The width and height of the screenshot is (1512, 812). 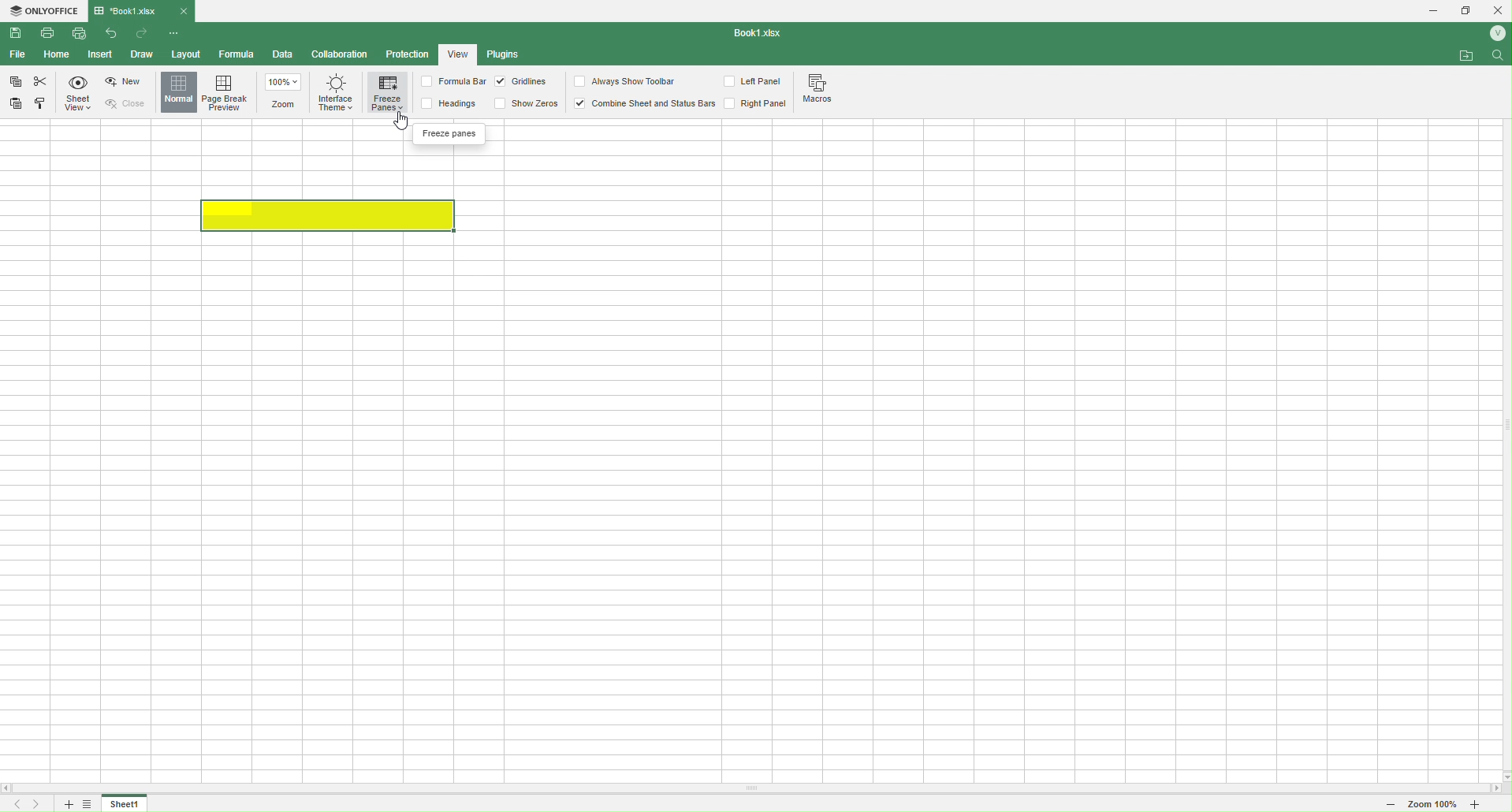 What do you see at coordinates (179, 92) in the screenshot?
I see `Normal` at bounding box center [179, 92].